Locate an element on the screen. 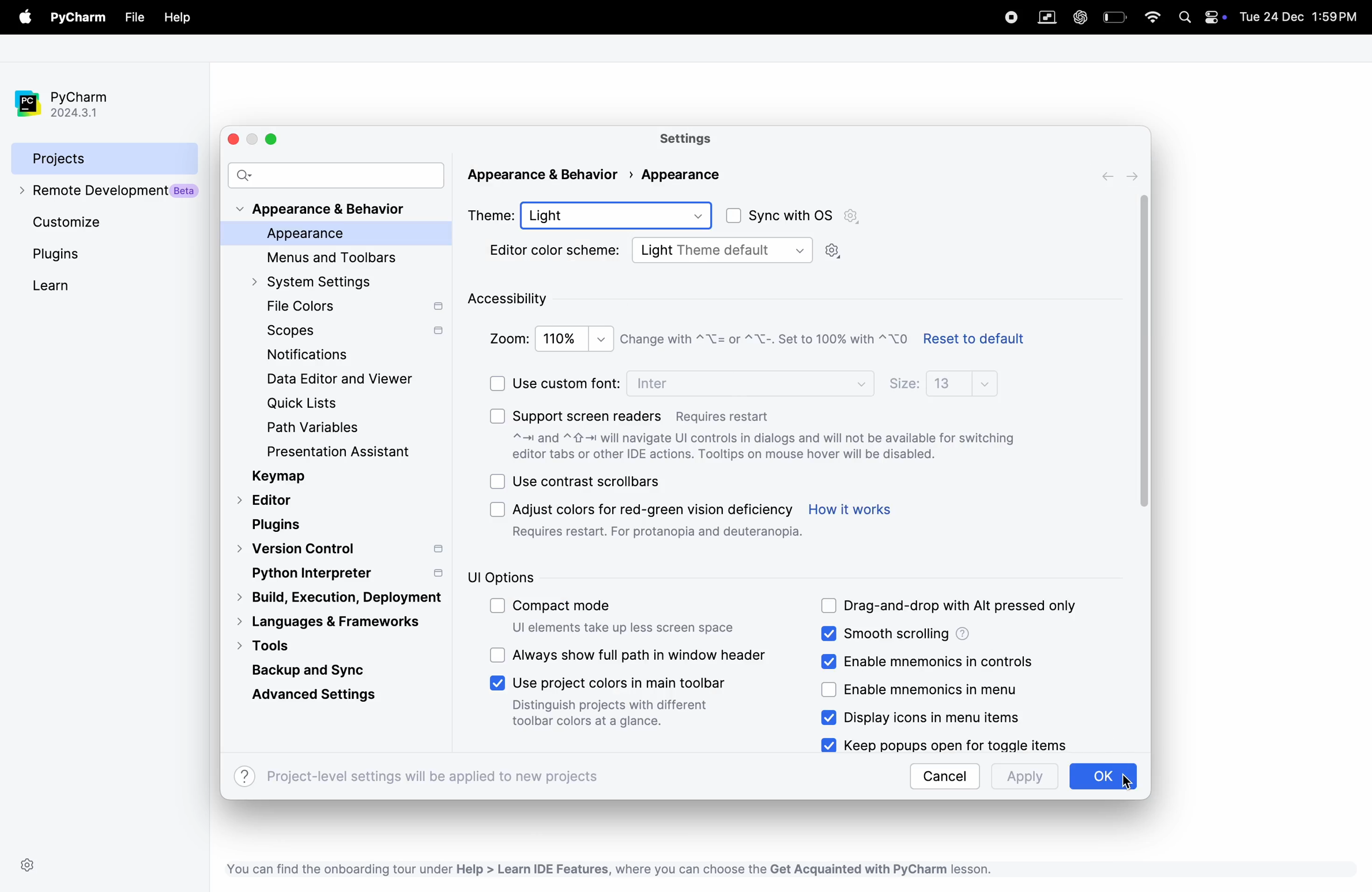 The width and height of the screenshot is (1372, 892). ok is located at coordinates (1103, 777).